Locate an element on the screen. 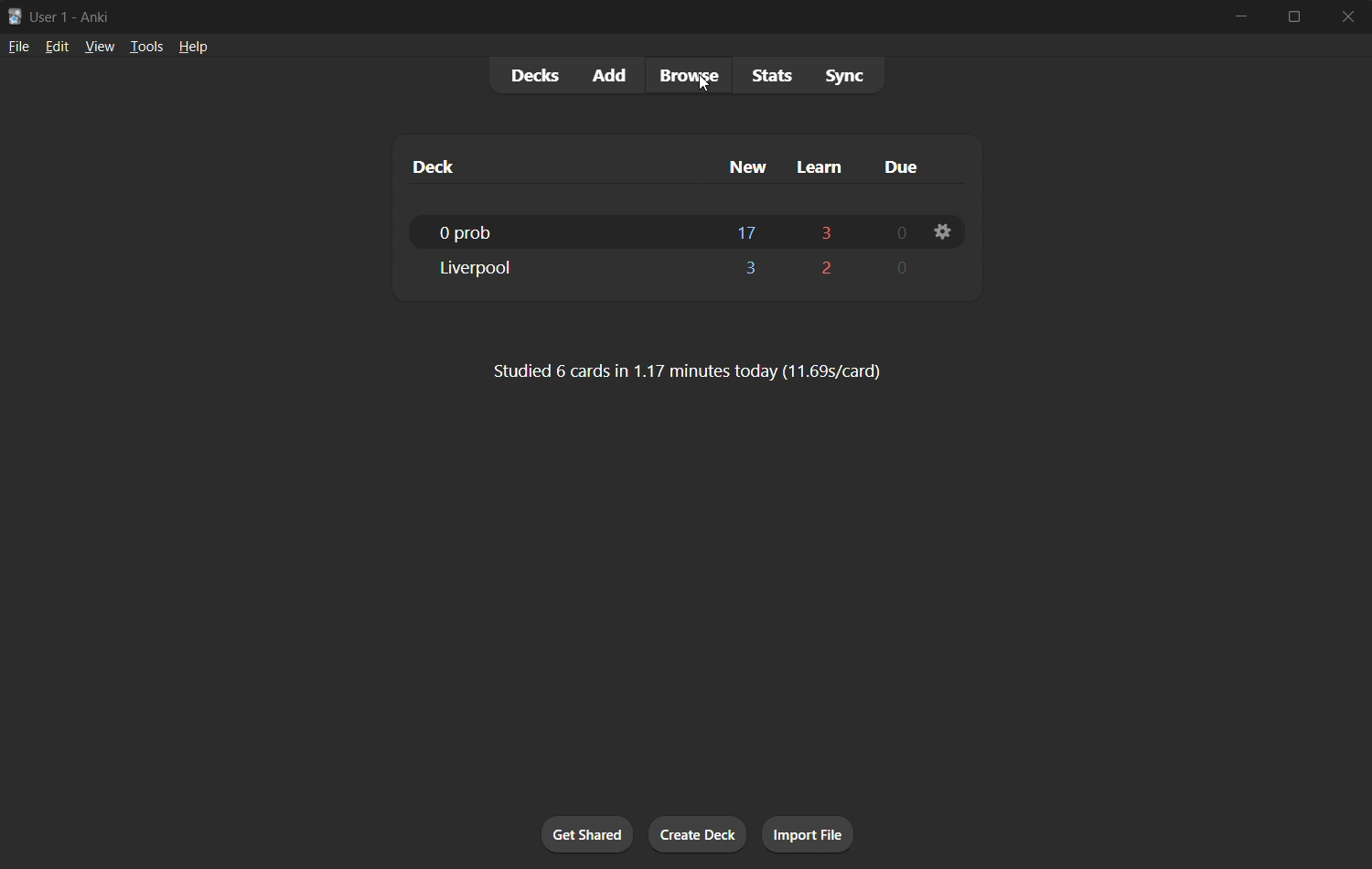   is located at coordinates (605, 74).